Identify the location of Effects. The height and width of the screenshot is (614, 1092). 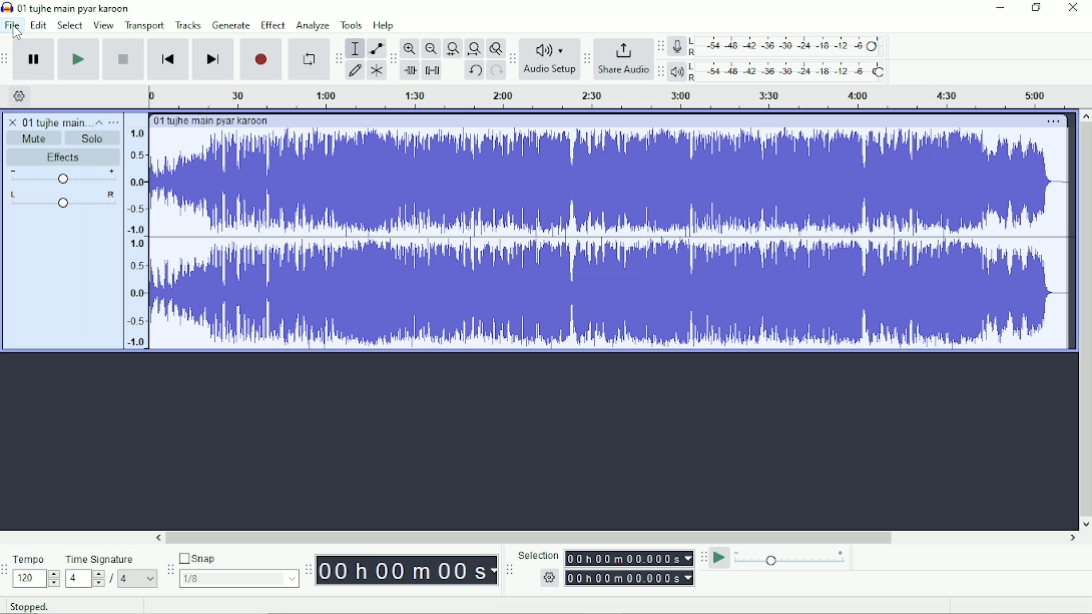
(67, 157).